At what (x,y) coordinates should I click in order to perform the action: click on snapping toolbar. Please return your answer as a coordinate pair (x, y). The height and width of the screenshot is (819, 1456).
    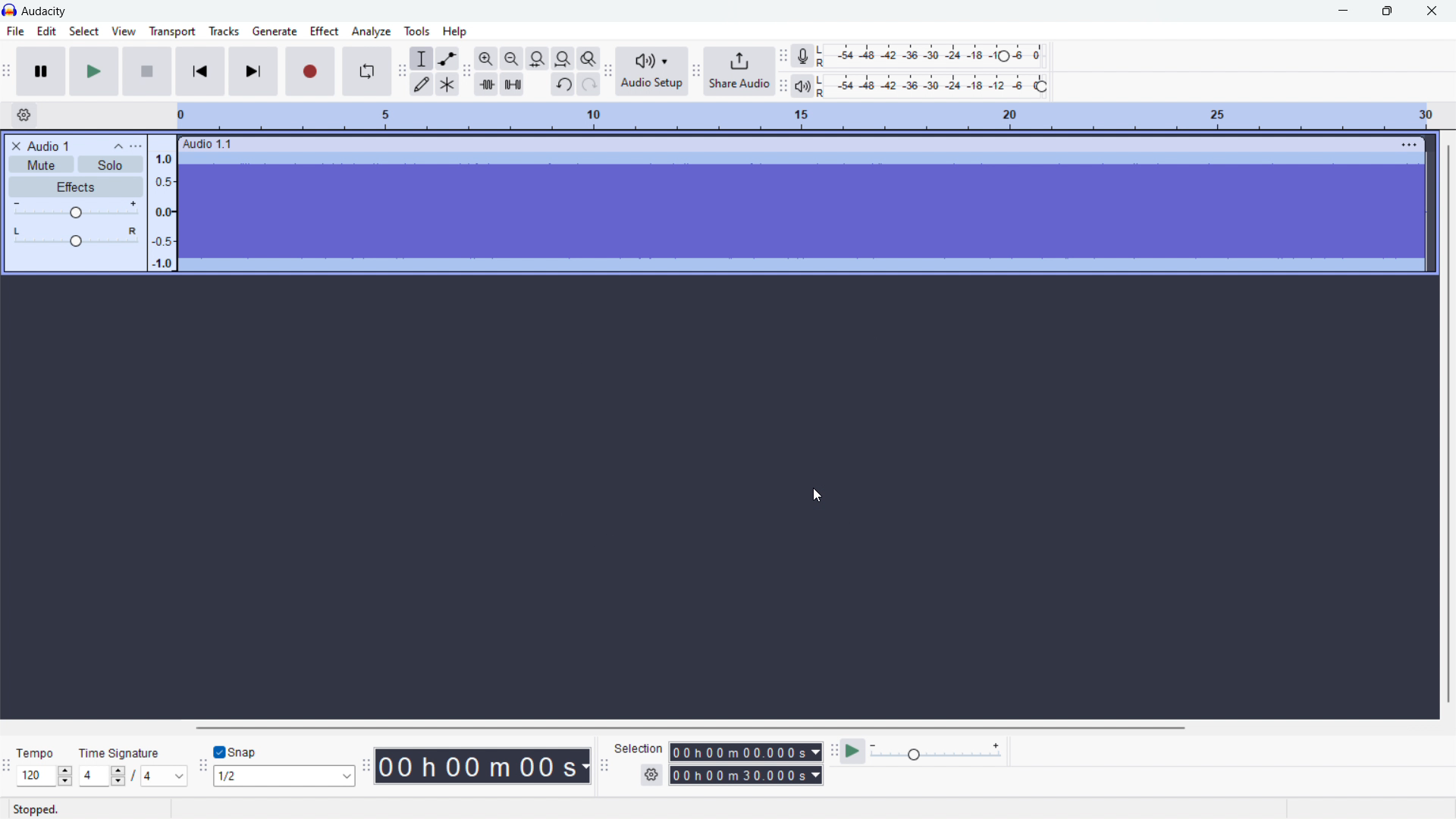
    Looking at the image, I should click on (202, 764).